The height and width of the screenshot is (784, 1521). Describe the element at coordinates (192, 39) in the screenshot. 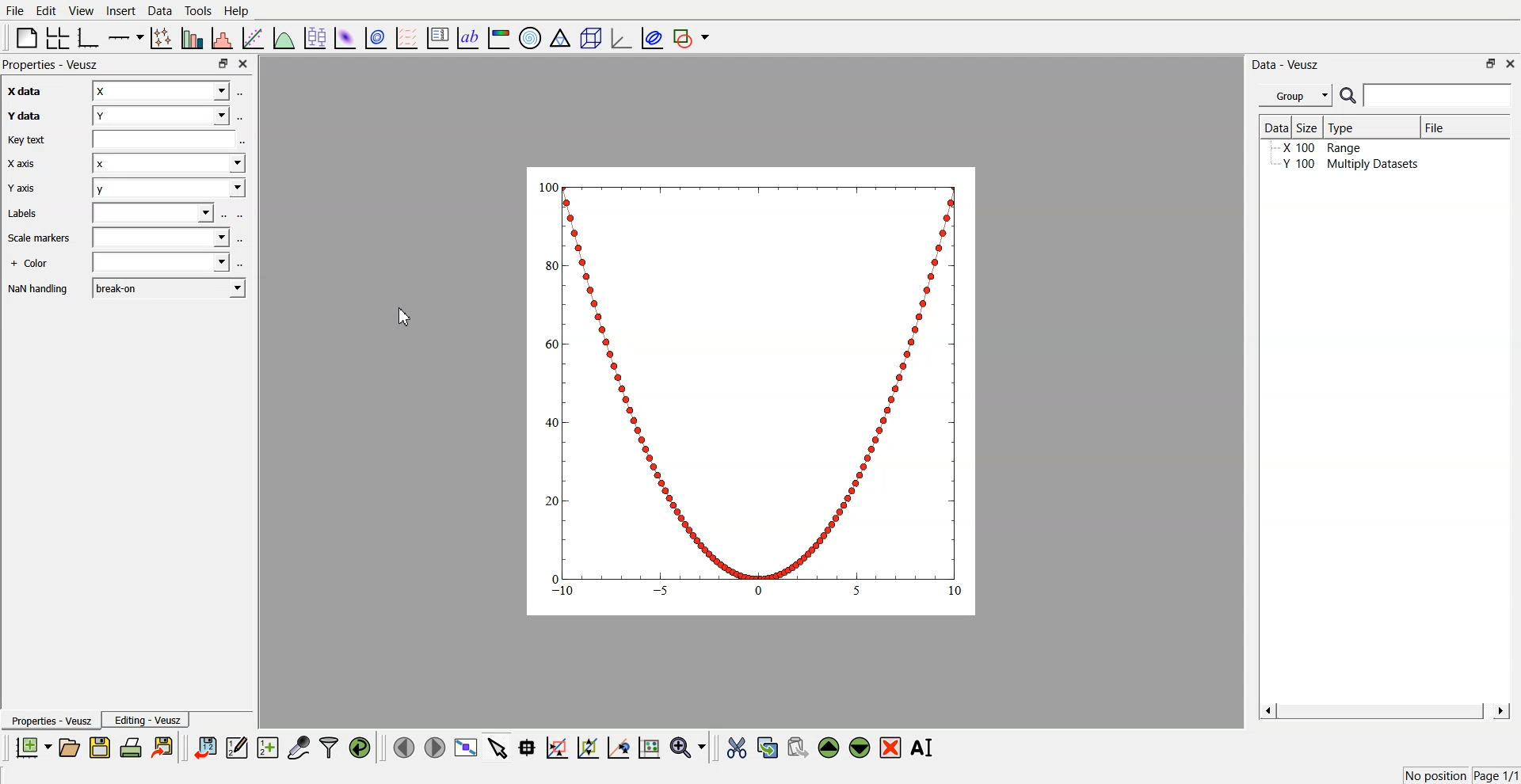

I see `plot bar chart` at that location.